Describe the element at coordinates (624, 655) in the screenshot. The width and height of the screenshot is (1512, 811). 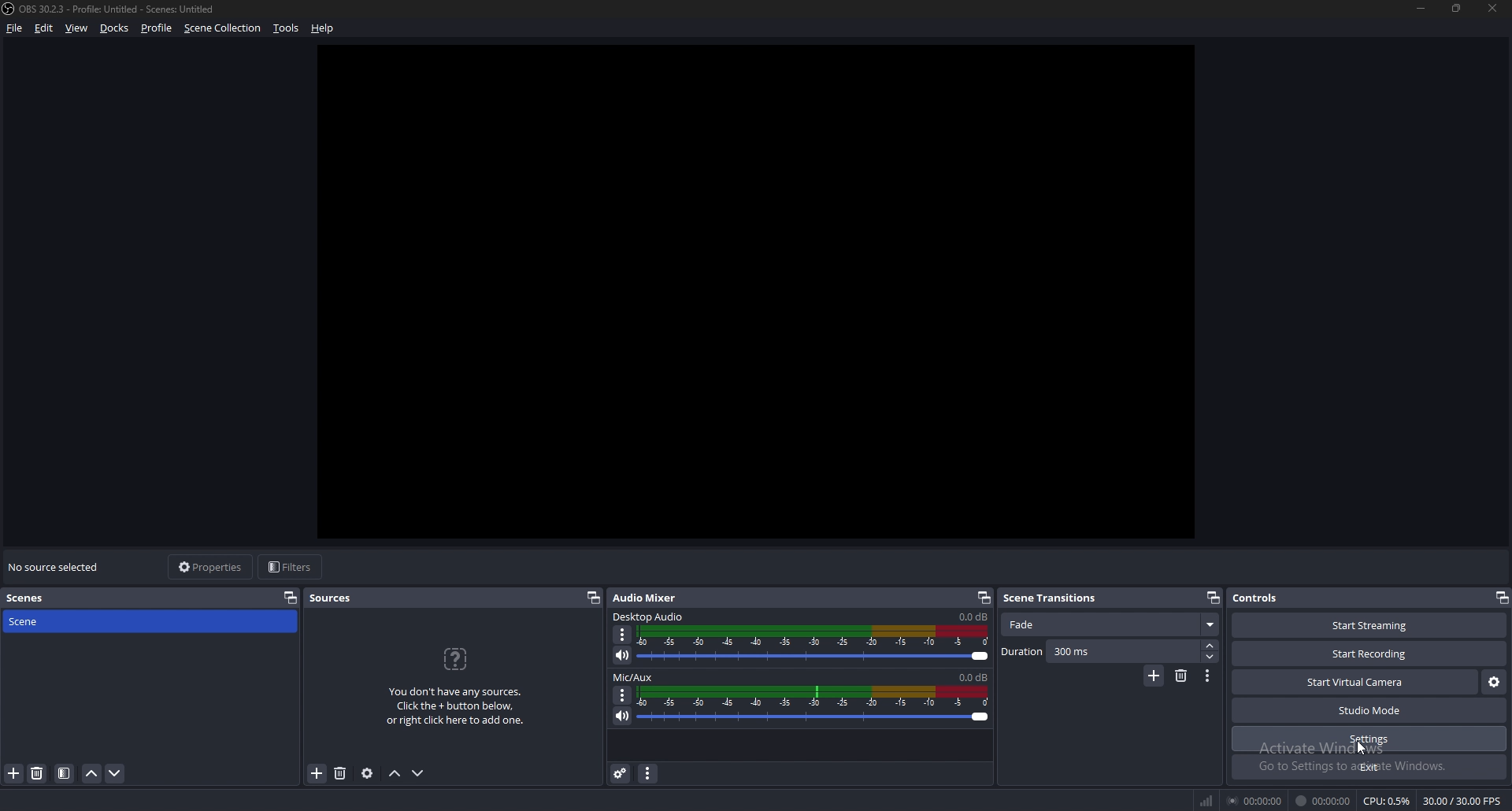
I see `mute` at that location.